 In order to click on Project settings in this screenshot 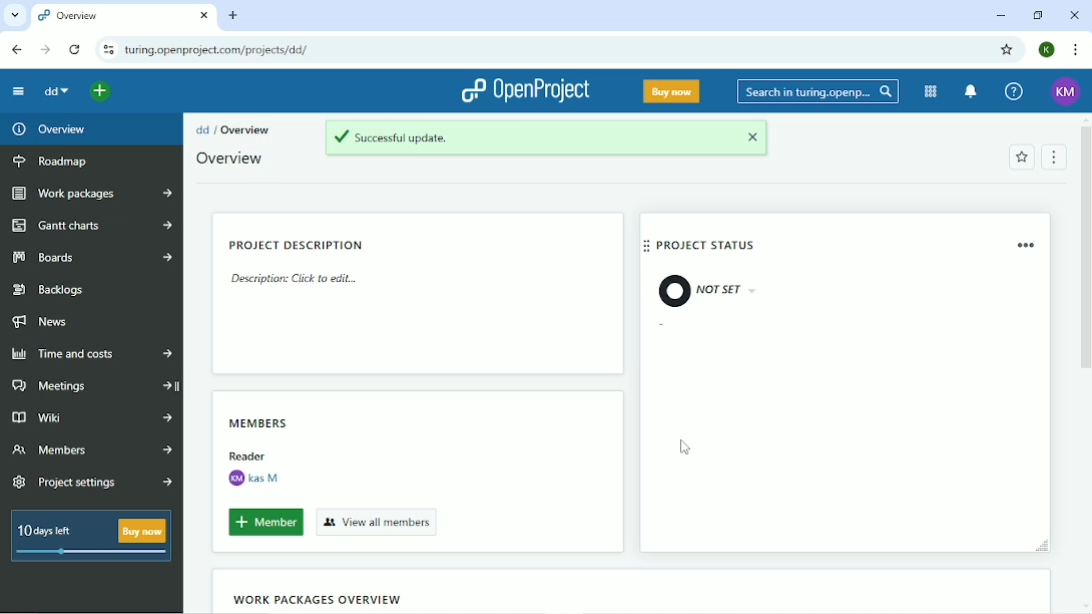, I will do `click(96, 483)`.